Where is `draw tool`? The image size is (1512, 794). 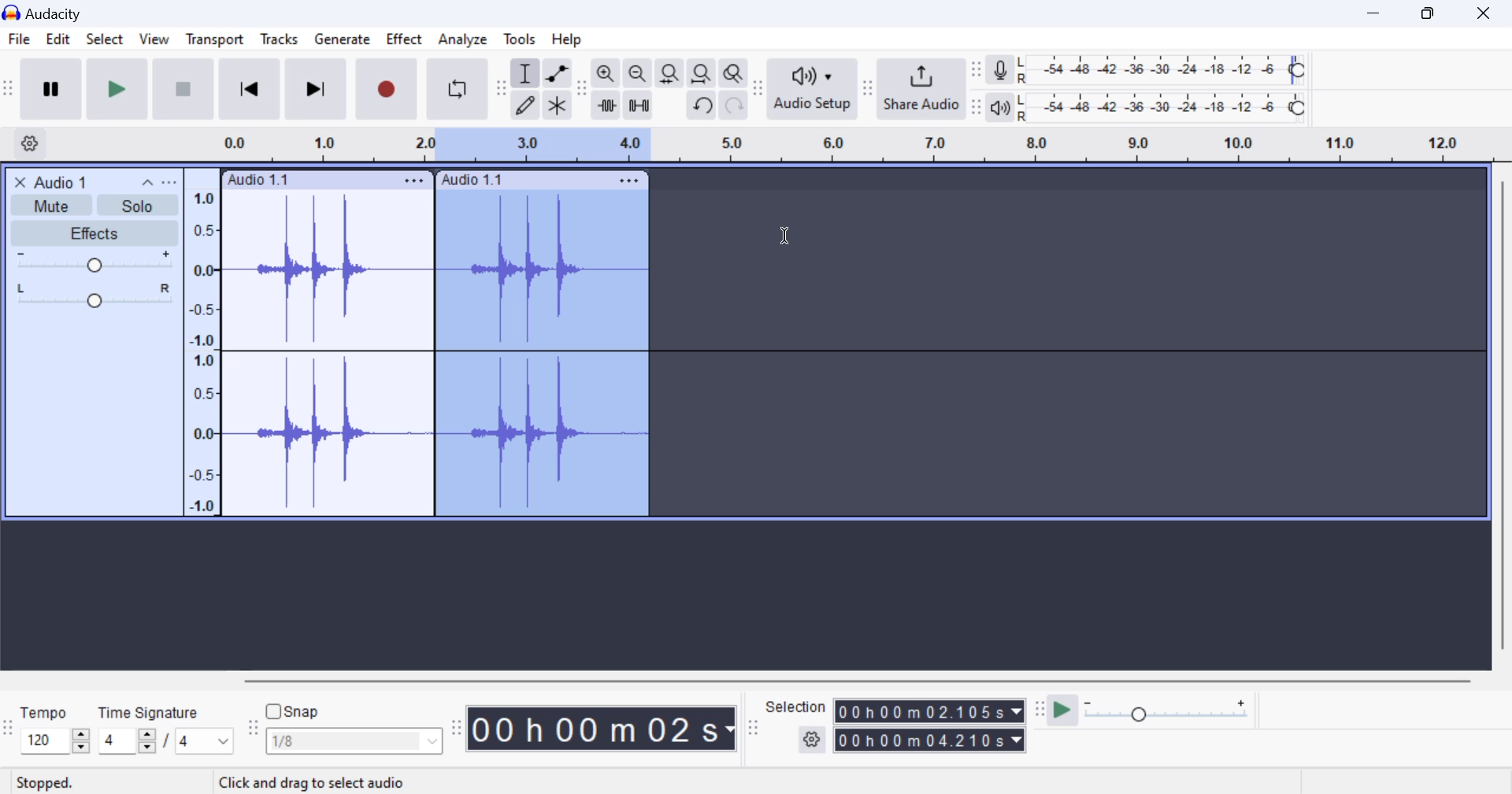 draw tool is located at coordinates (525, 106).